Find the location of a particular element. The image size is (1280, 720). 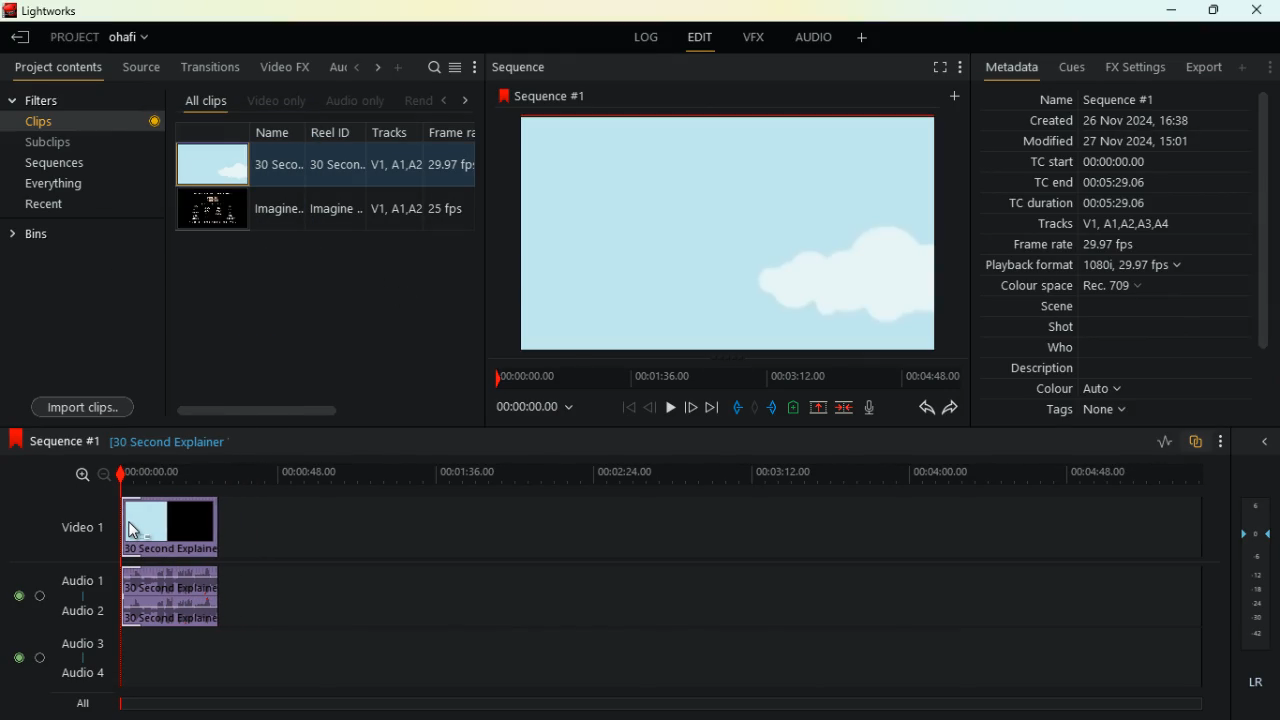

filters is located at coordinates (54, 101).